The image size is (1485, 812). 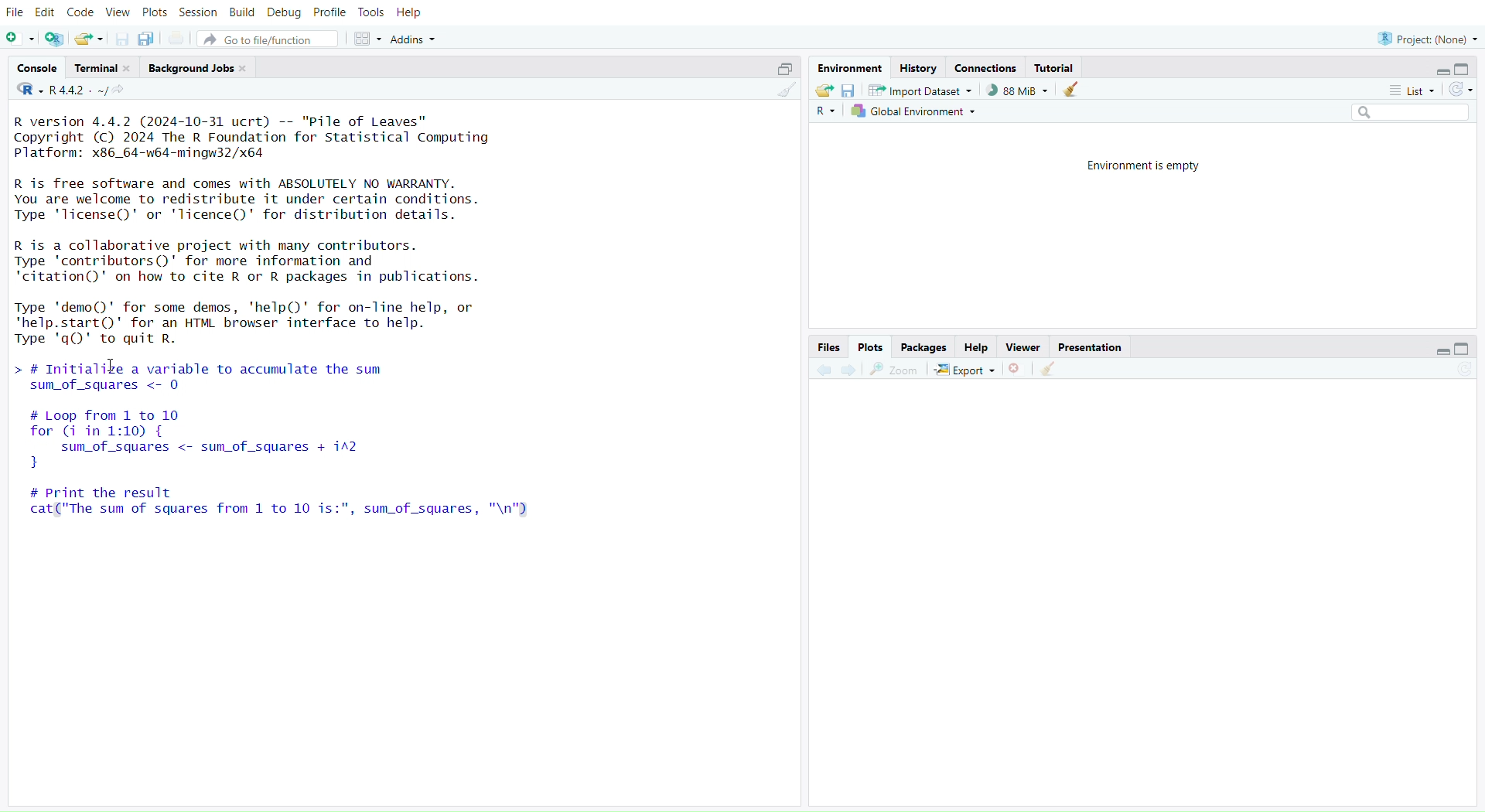 What do you see at coordinates (847, 68) in the screenshot?
I see `environment` at bounding box center [847, 68].